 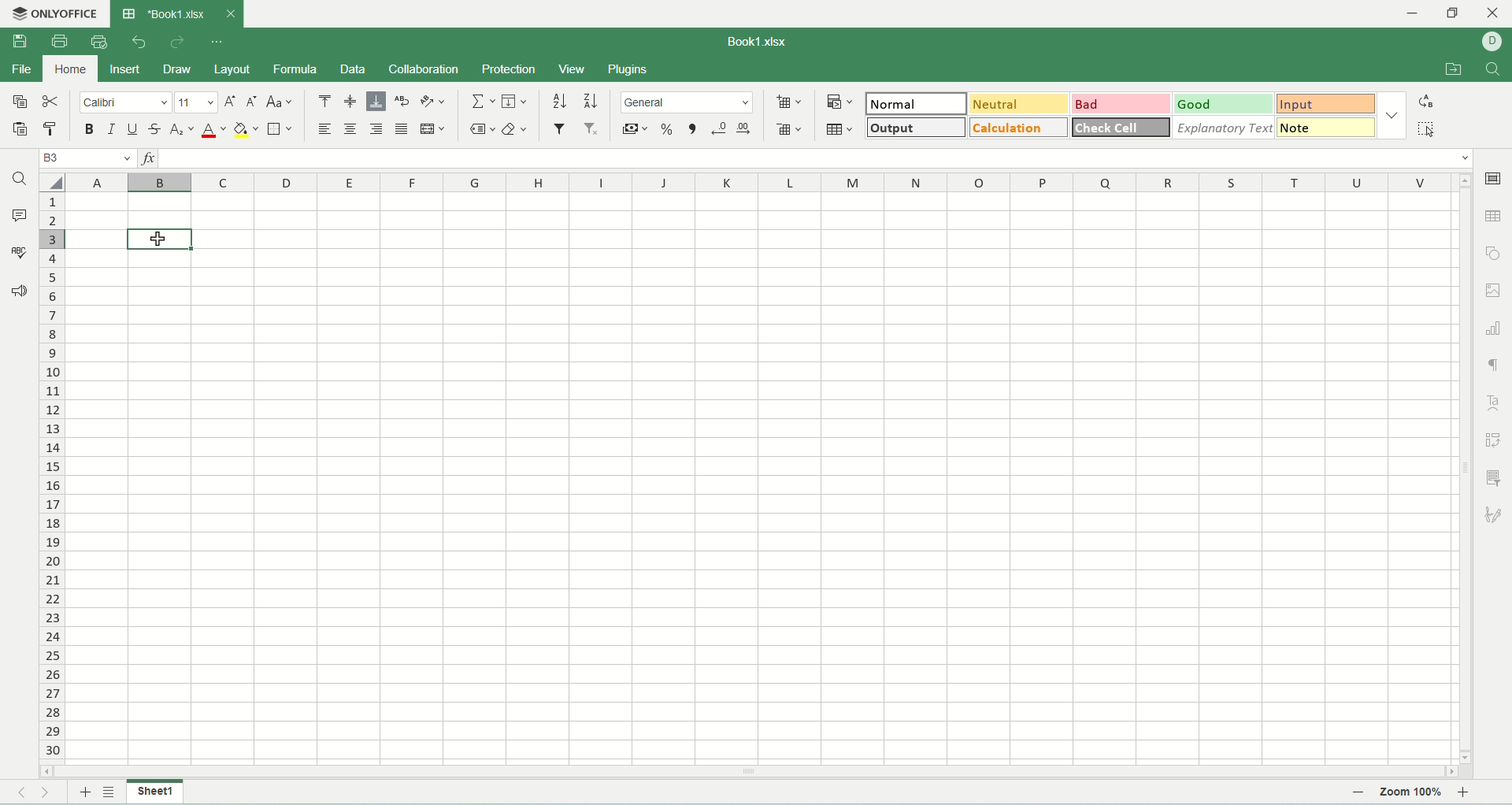 What do you see at coordinates (788, 126) in the screenshot?
I see `delete cells` at bounding box center [788, 126].